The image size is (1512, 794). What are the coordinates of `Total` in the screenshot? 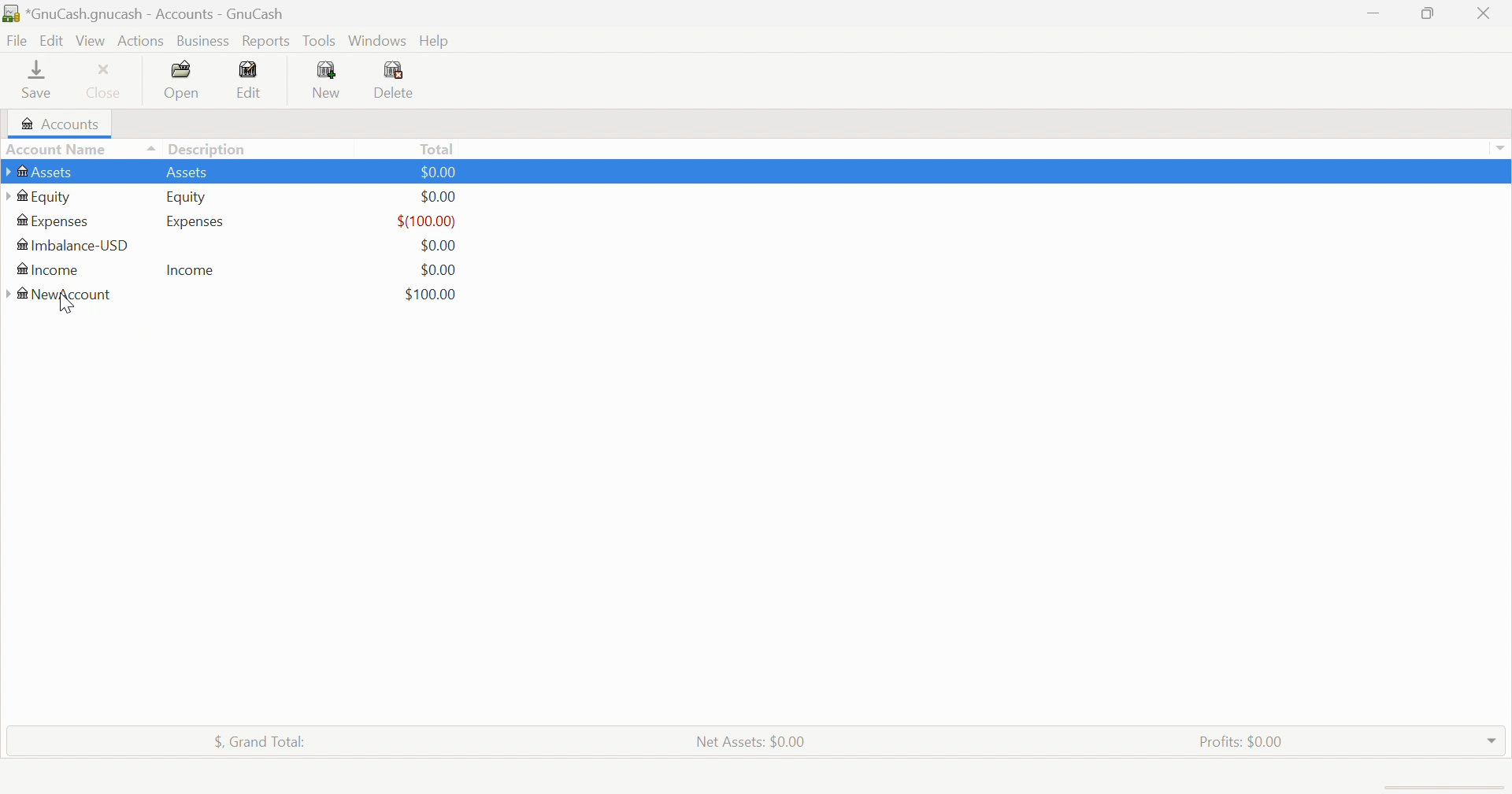 It's located at (438, 148).